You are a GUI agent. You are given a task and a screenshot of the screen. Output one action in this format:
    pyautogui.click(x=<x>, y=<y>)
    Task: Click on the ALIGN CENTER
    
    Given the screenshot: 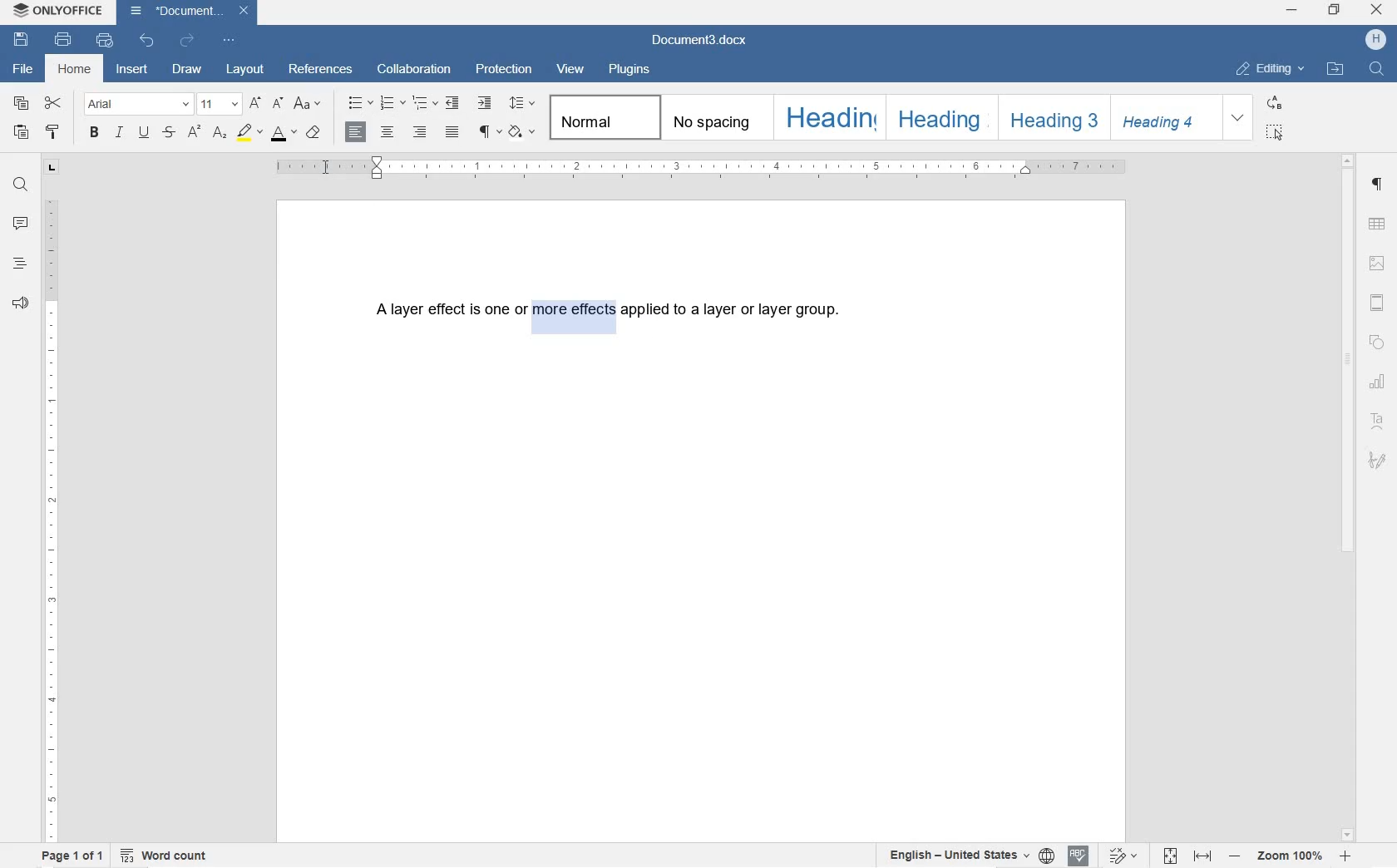 What is the action you would take?
    pyautogui.click(x=387, y=133)
    